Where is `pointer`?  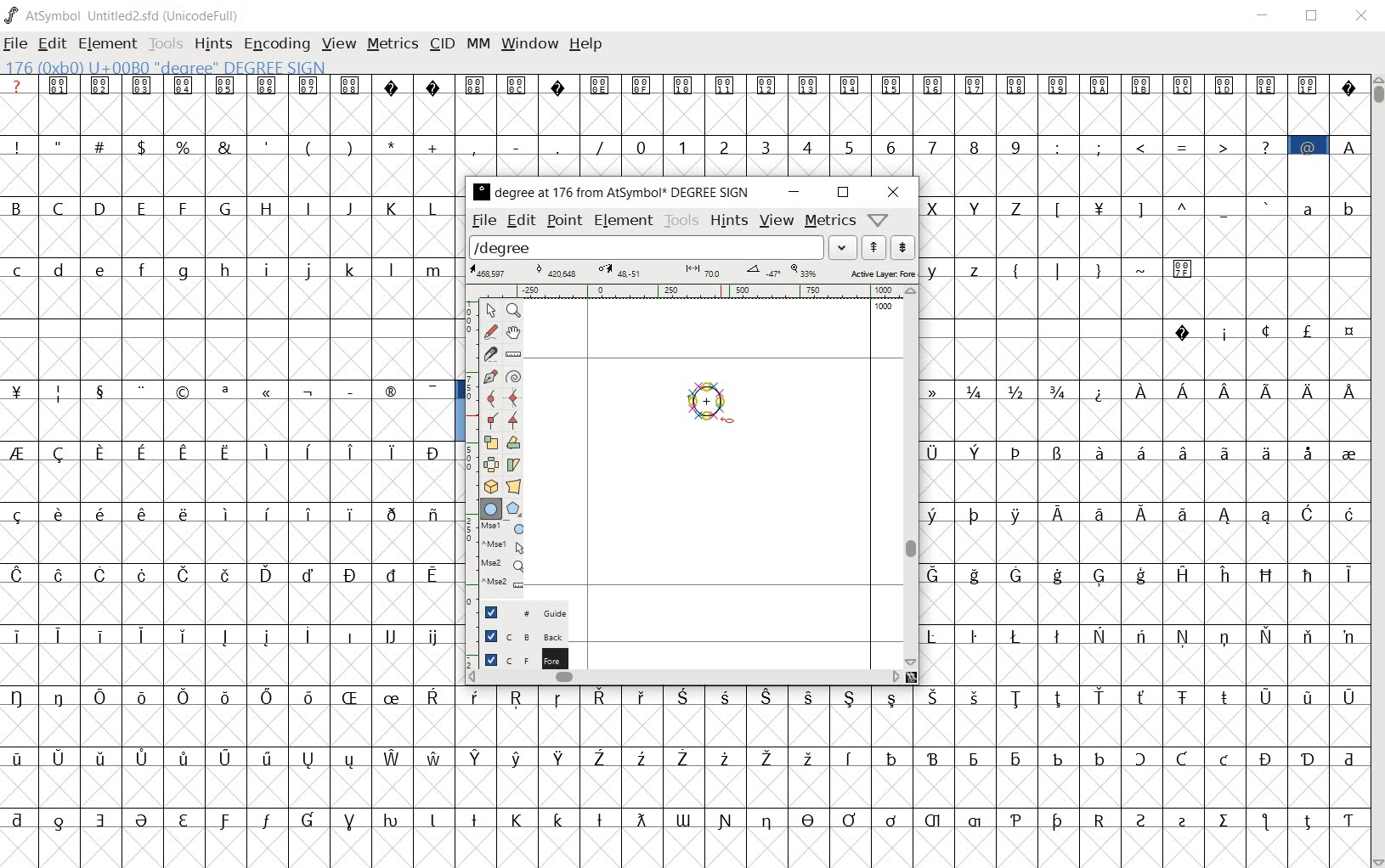 pointer is located at coordinates (490, 310).